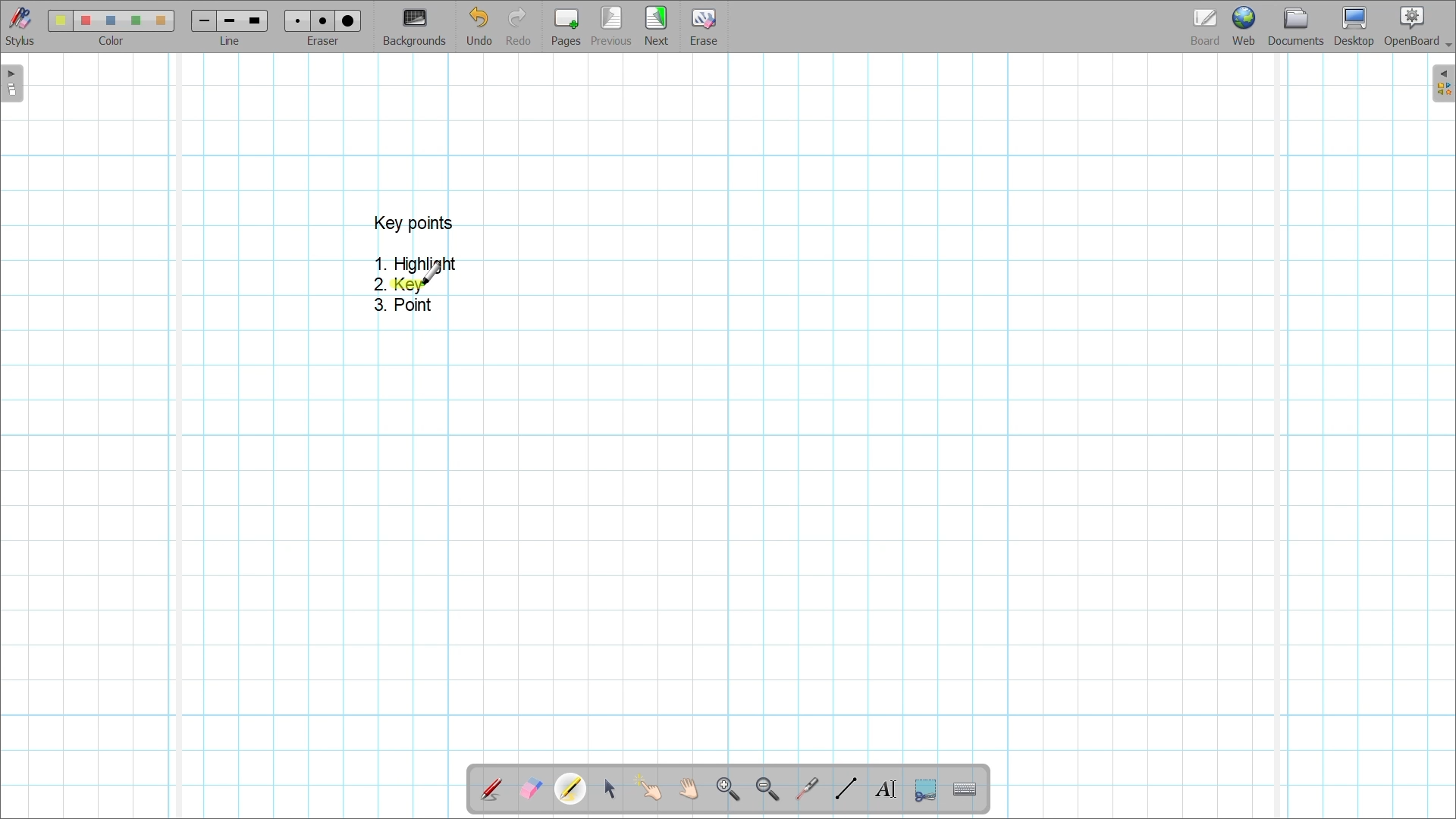 The image size is (1456, 819). What do you see at coordinates (322, 20) in the screenshot?
I see `eraser 2` at bounding box center [322, 20].